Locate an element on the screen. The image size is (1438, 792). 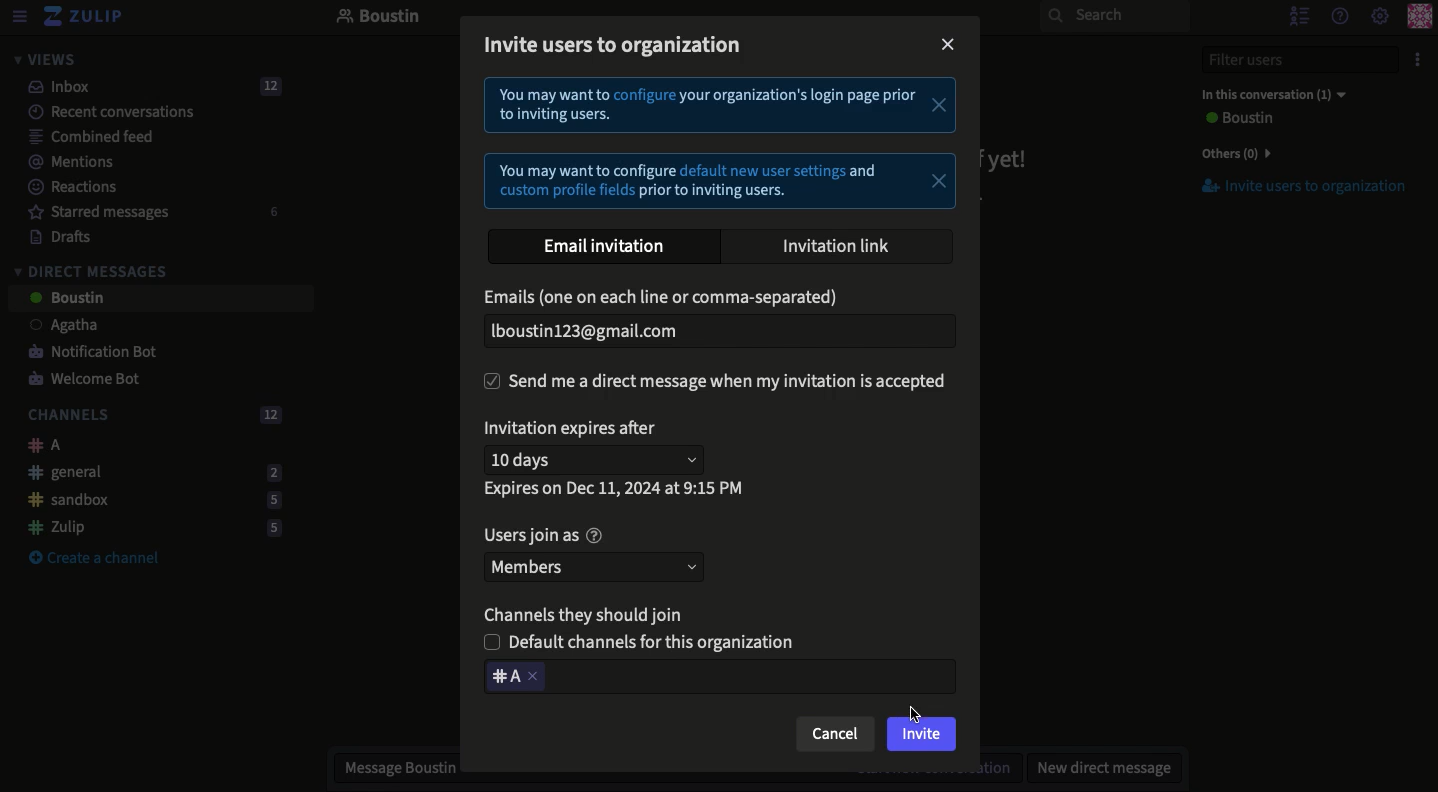
Inbox is located at coordinates (146, 87).